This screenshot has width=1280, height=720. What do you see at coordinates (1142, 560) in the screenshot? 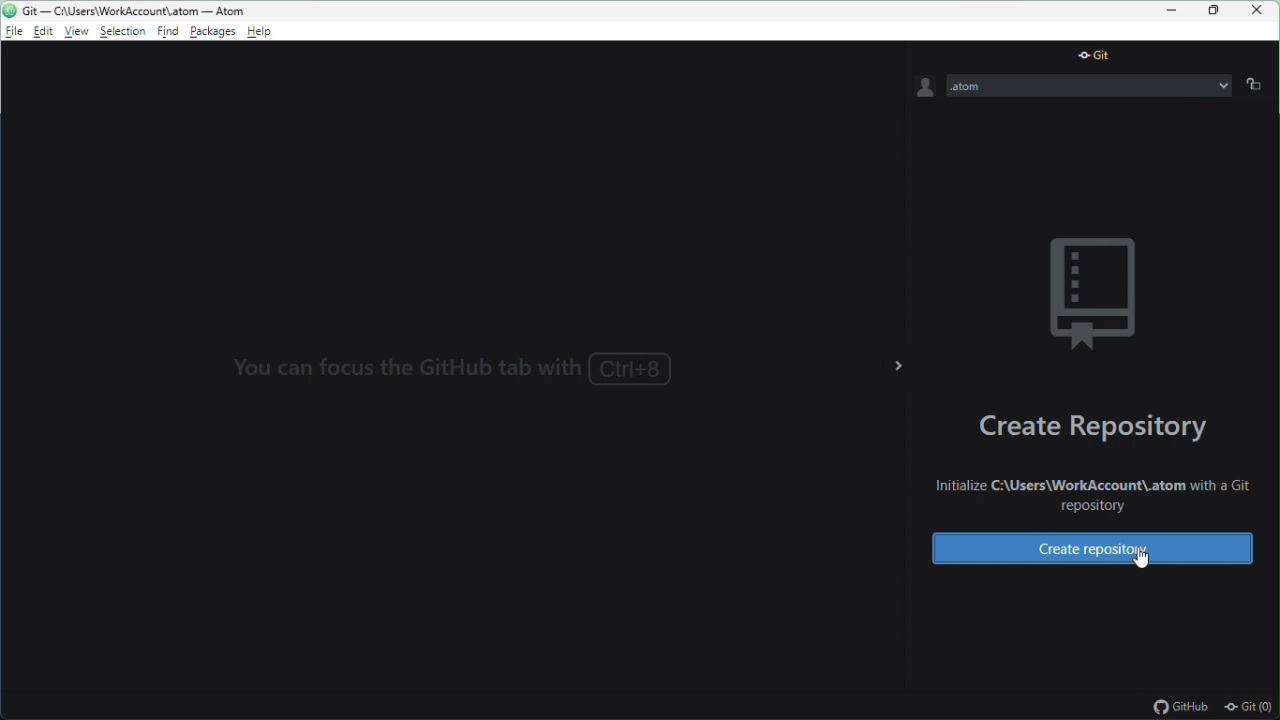
I see `cursor` at bounding box center [1142, 560].